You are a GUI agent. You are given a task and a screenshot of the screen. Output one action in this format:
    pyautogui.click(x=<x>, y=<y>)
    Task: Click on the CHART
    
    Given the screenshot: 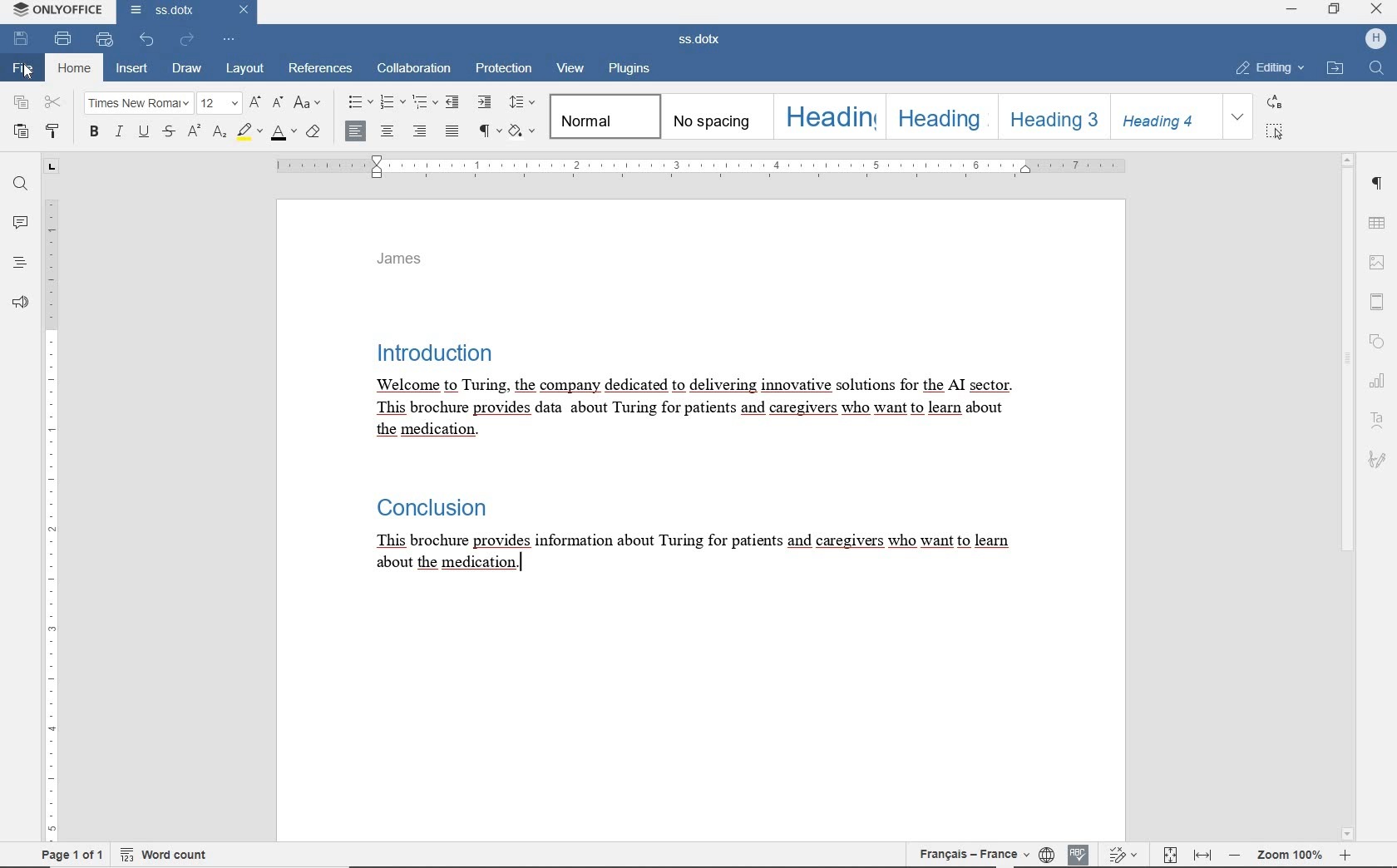 What is the action you would take?
    pyautogui.click(x=1380, y=383)
    